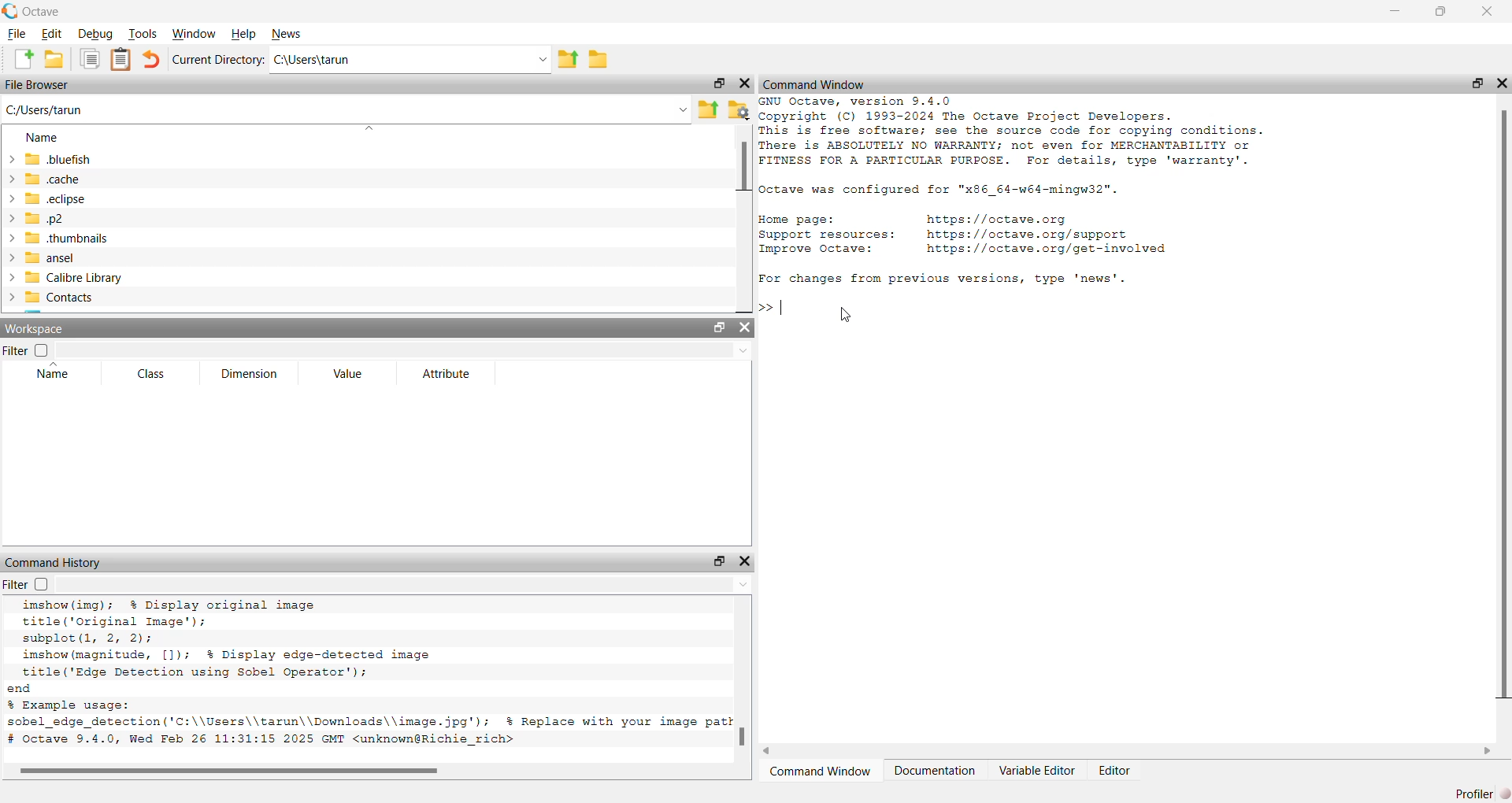 This screenshot has height=803, width=1512. Describe the element at coordinates (744, 87) in the screenshot. I see `close` at that location.